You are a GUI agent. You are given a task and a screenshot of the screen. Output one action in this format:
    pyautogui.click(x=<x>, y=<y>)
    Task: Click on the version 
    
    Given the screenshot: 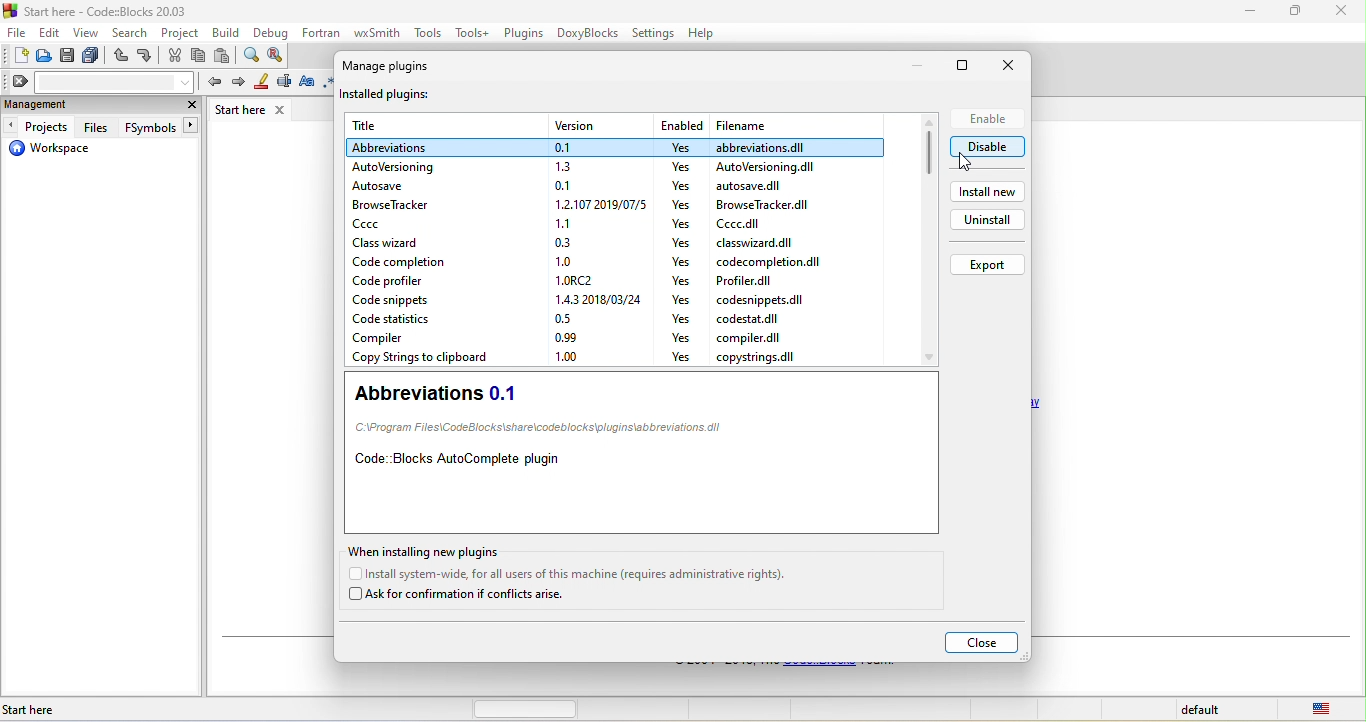 What is the action you would take?
    pyautogui.click(x=580, y=280)
    